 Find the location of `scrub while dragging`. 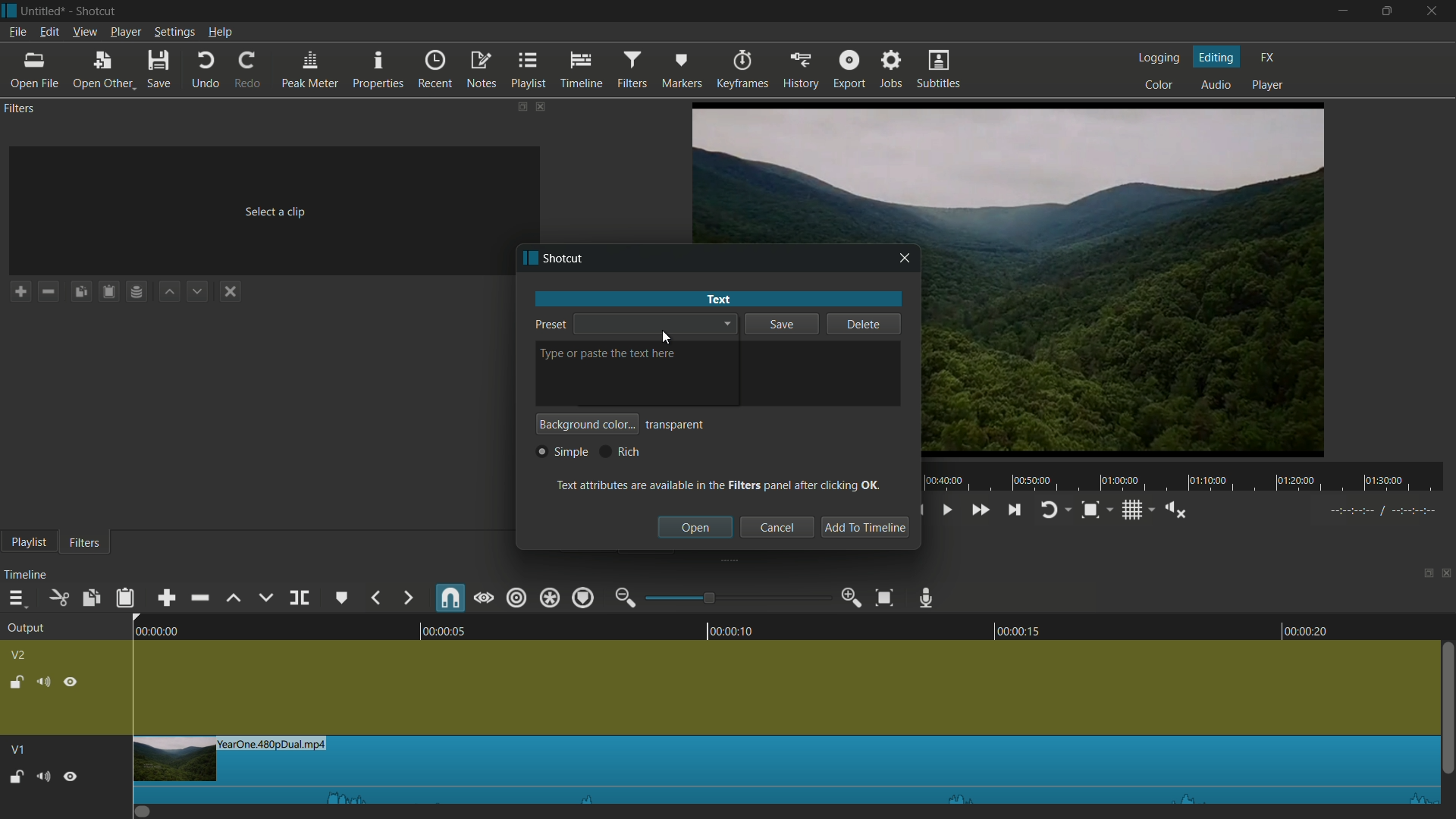

scrub while dragging is located at coordinates (485, 598).